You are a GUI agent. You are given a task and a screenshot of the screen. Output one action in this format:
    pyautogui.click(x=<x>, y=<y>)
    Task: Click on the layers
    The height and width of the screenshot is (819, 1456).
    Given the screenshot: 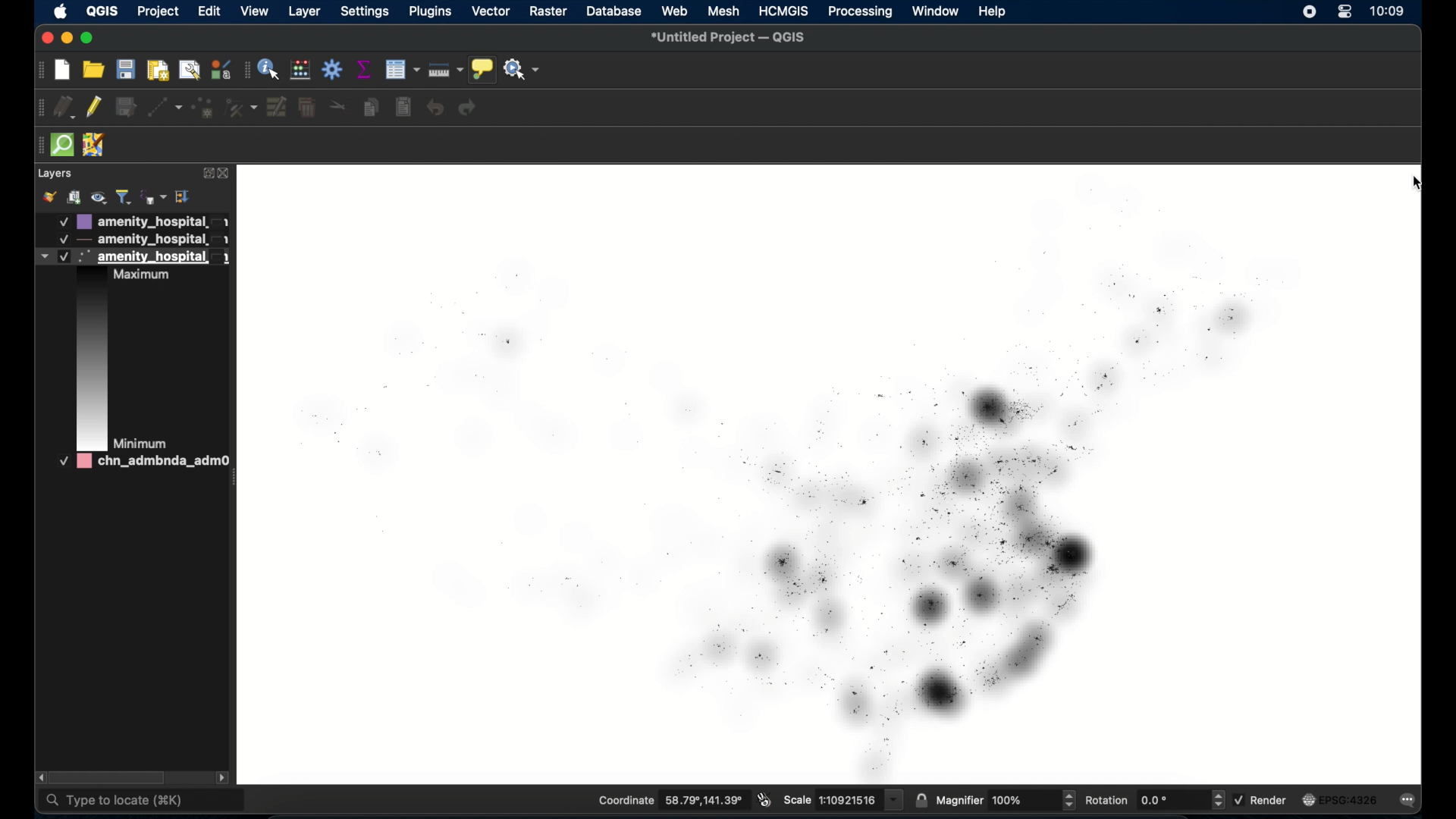 What is the action you would take?
    pyautogui.click(x=56, y=173)
    